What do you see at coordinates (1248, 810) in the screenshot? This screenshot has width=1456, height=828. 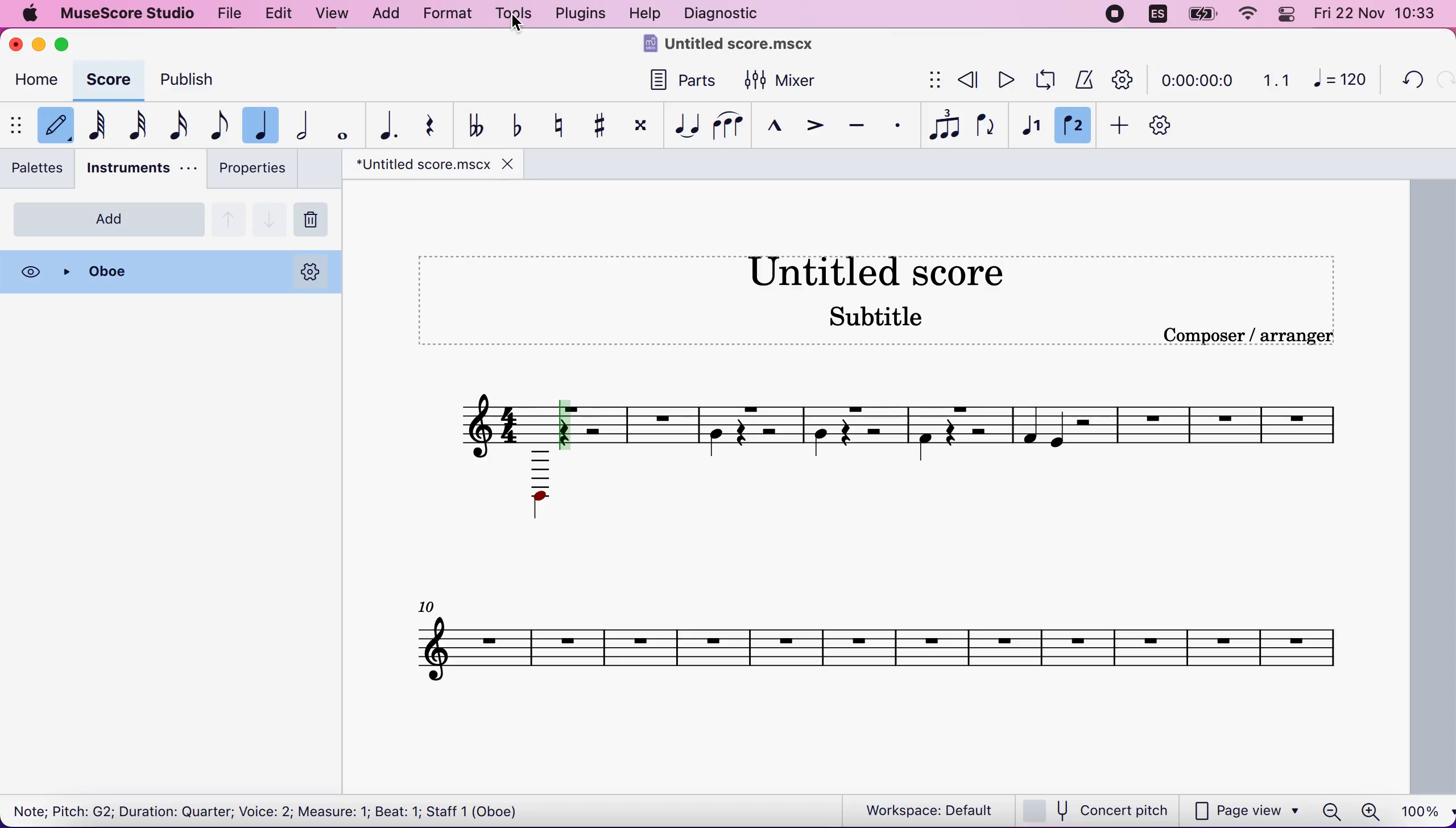 I see `page view` at bounding box center [1248, 810].